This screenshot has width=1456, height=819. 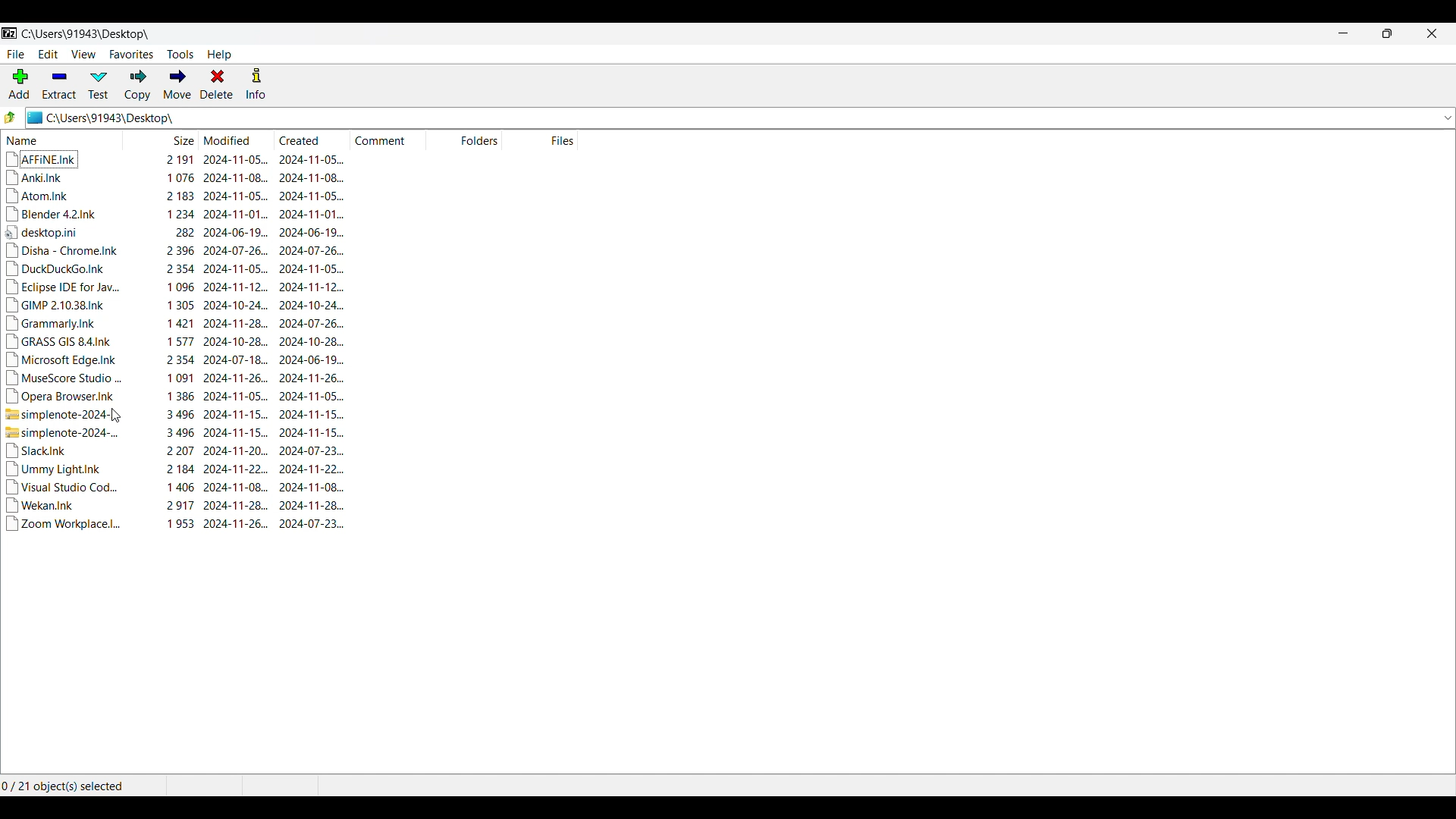 I want to click on C:\Users\91943\Desktop\, so click(x=81, y=34).